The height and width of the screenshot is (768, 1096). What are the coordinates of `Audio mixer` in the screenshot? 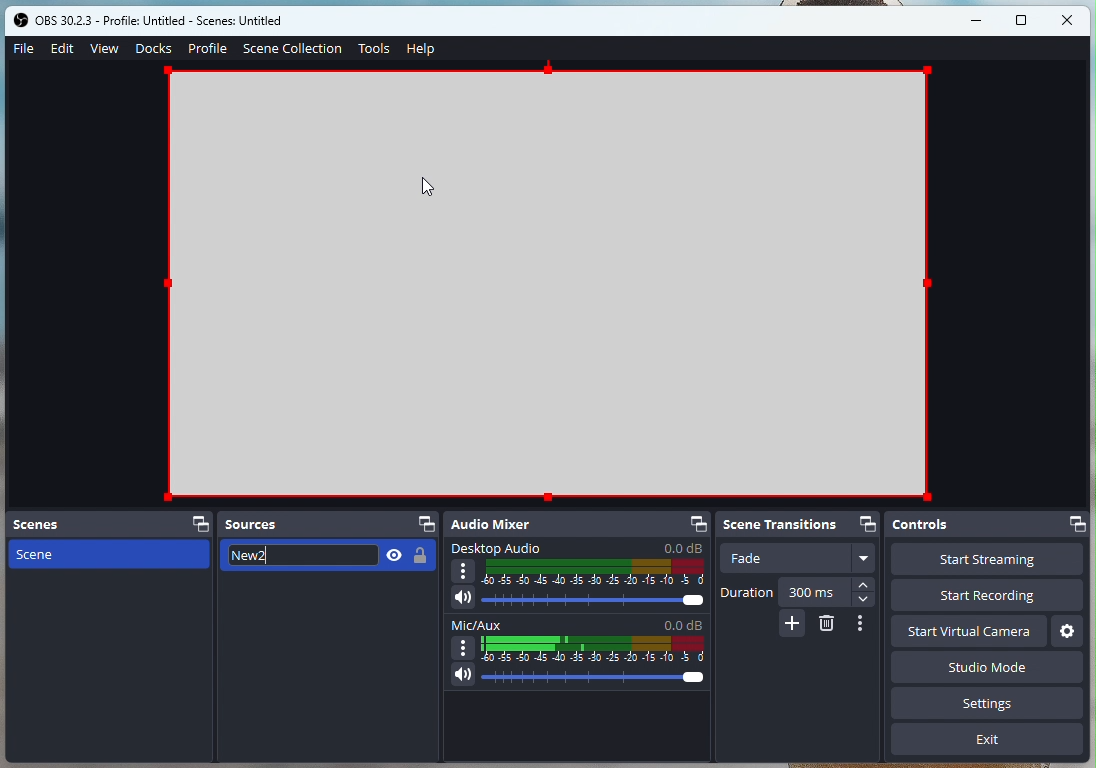 It's located at (578, 525).